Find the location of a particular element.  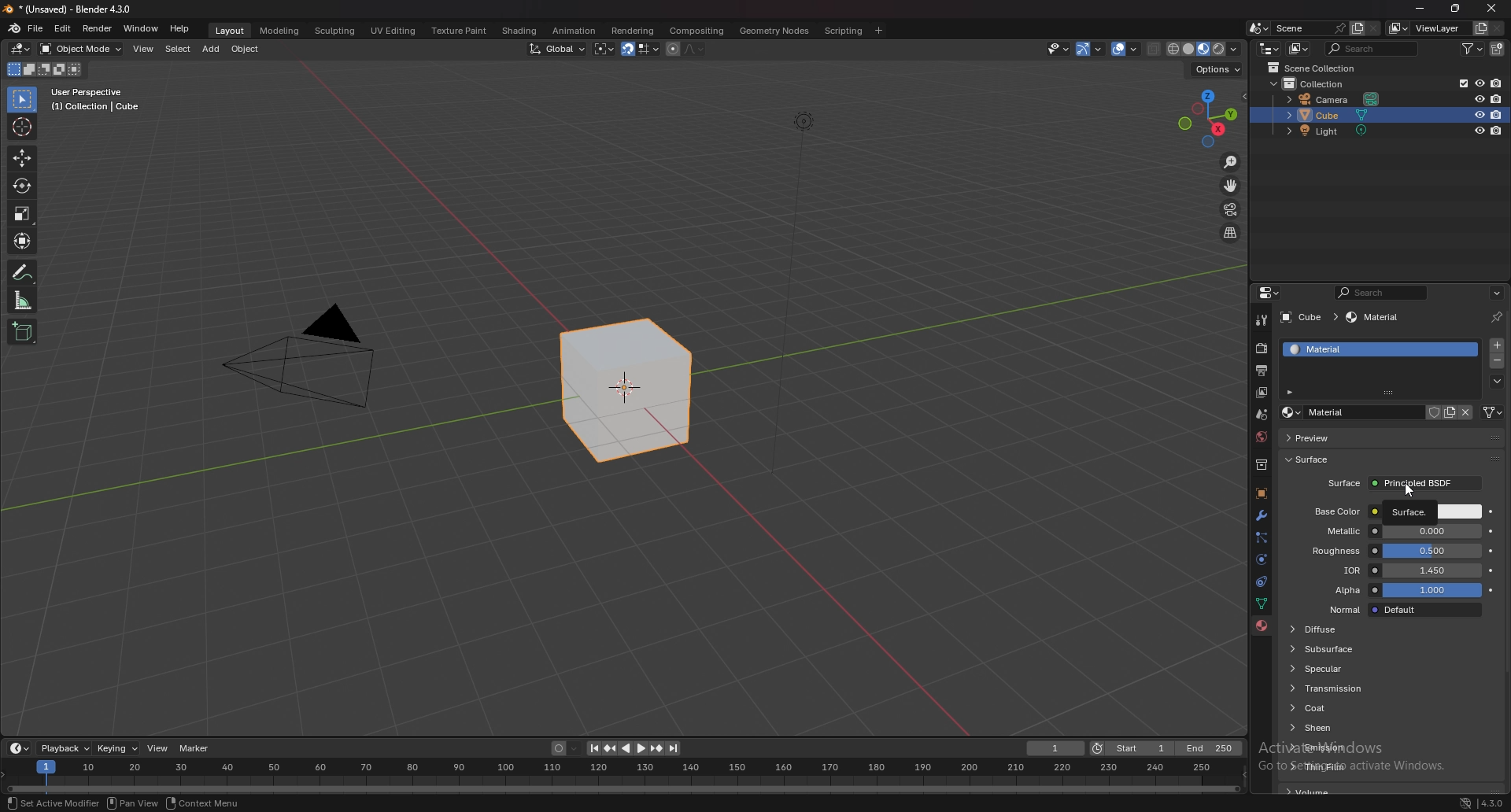

disable in renders is located at coordinates (1498, 114).